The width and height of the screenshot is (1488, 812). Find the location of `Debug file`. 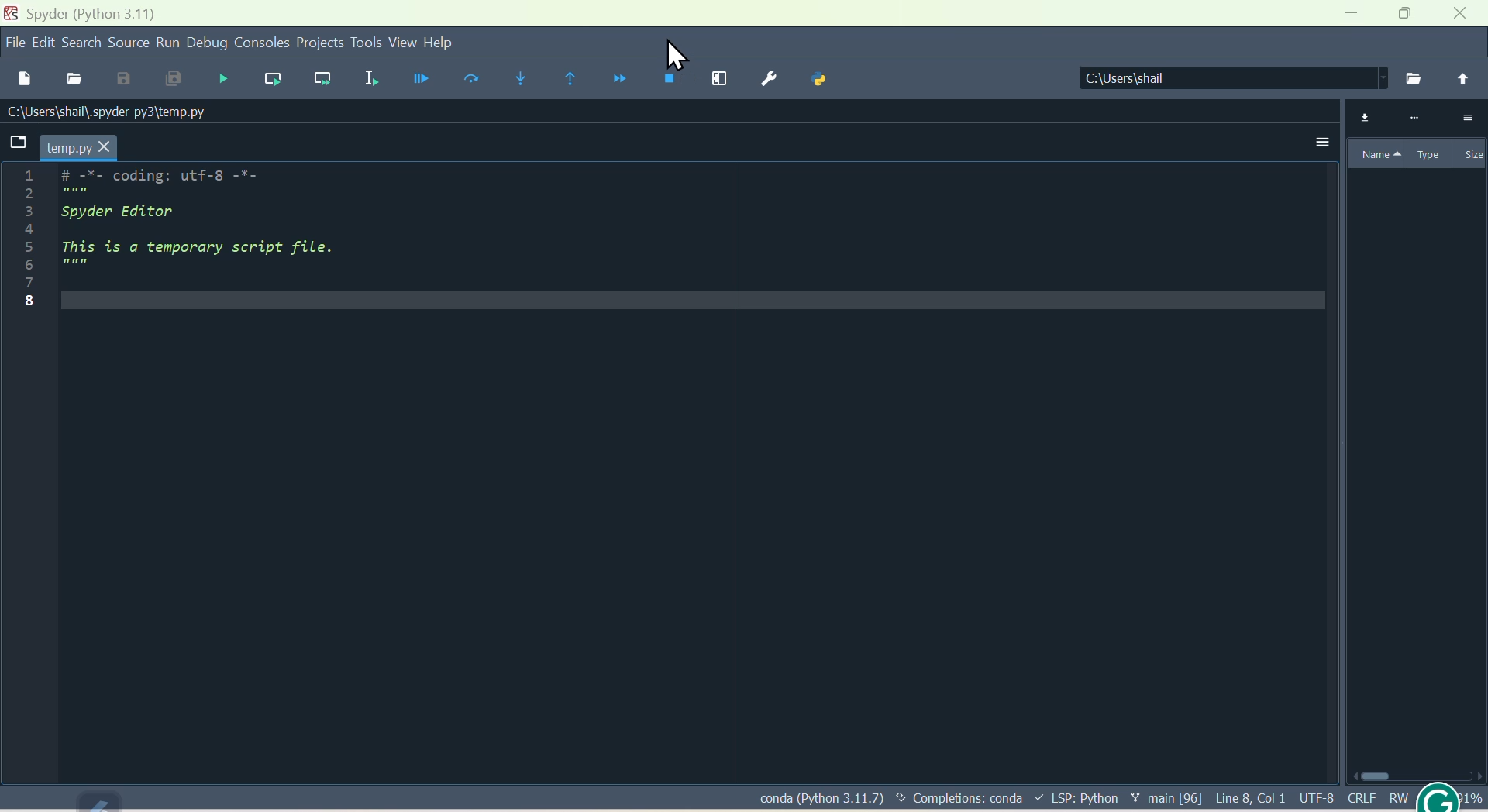

Debug file is located at coordinates (222, 78).